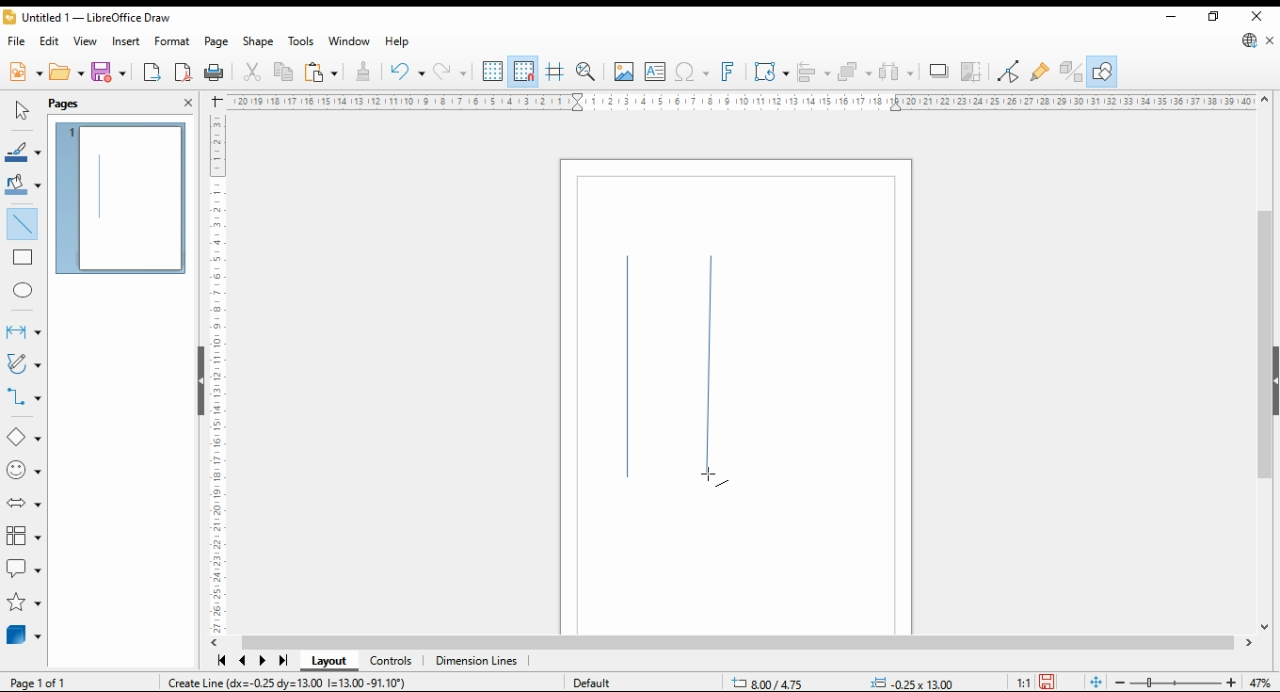  I want to click on 3D objects, so click(24, 636).